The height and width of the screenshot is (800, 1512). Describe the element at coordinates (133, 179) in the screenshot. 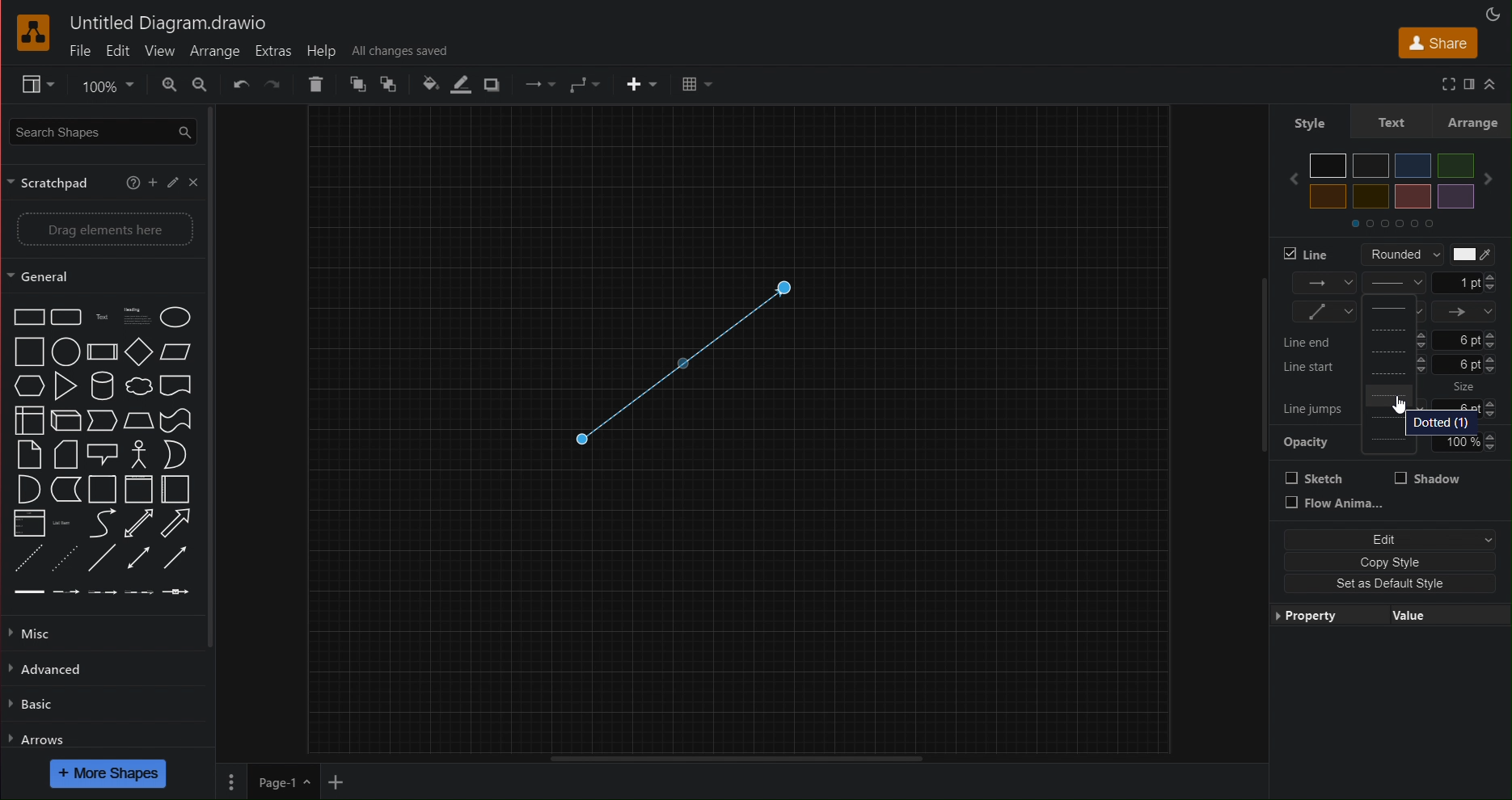

I see `Help` at that location.